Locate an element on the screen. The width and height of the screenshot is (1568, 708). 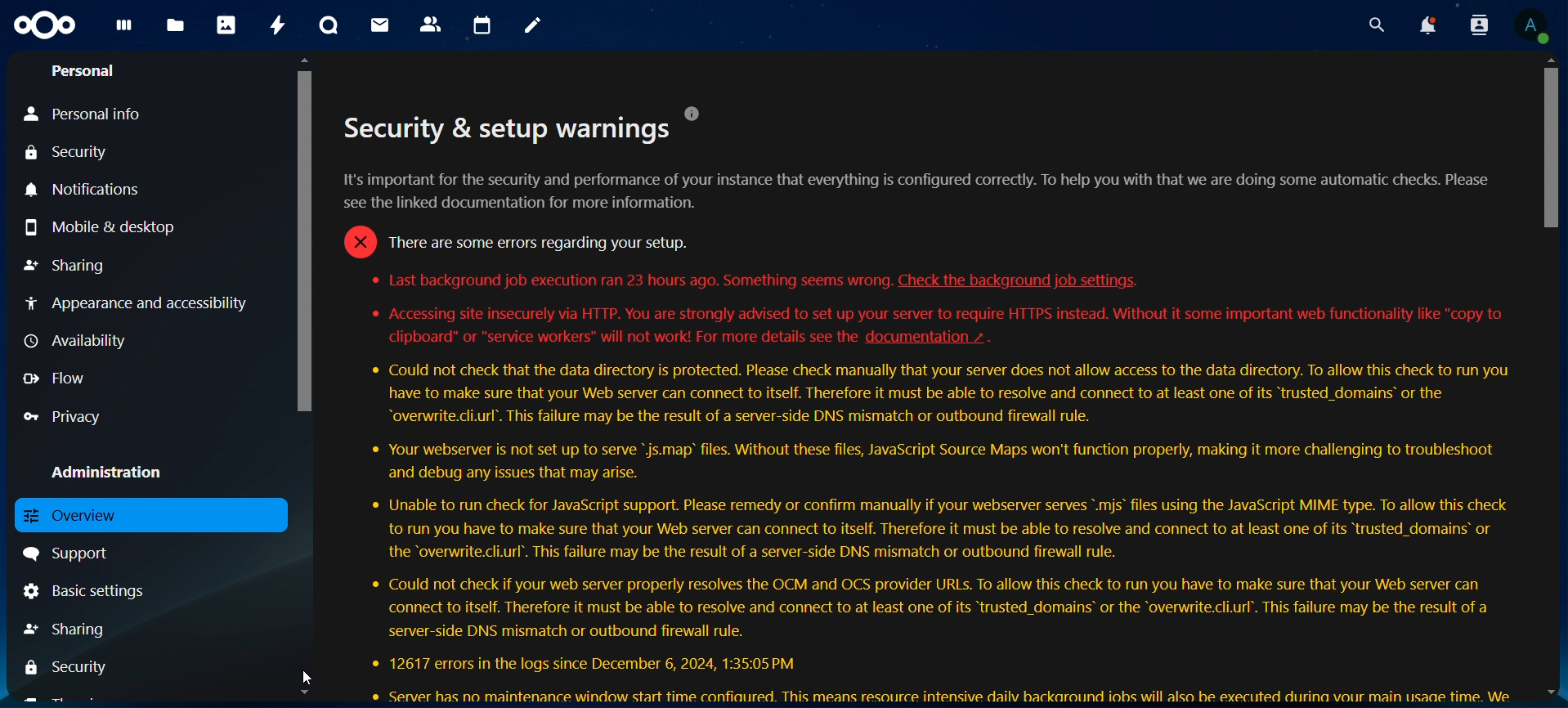
activity is located at coordinates (277, 25).